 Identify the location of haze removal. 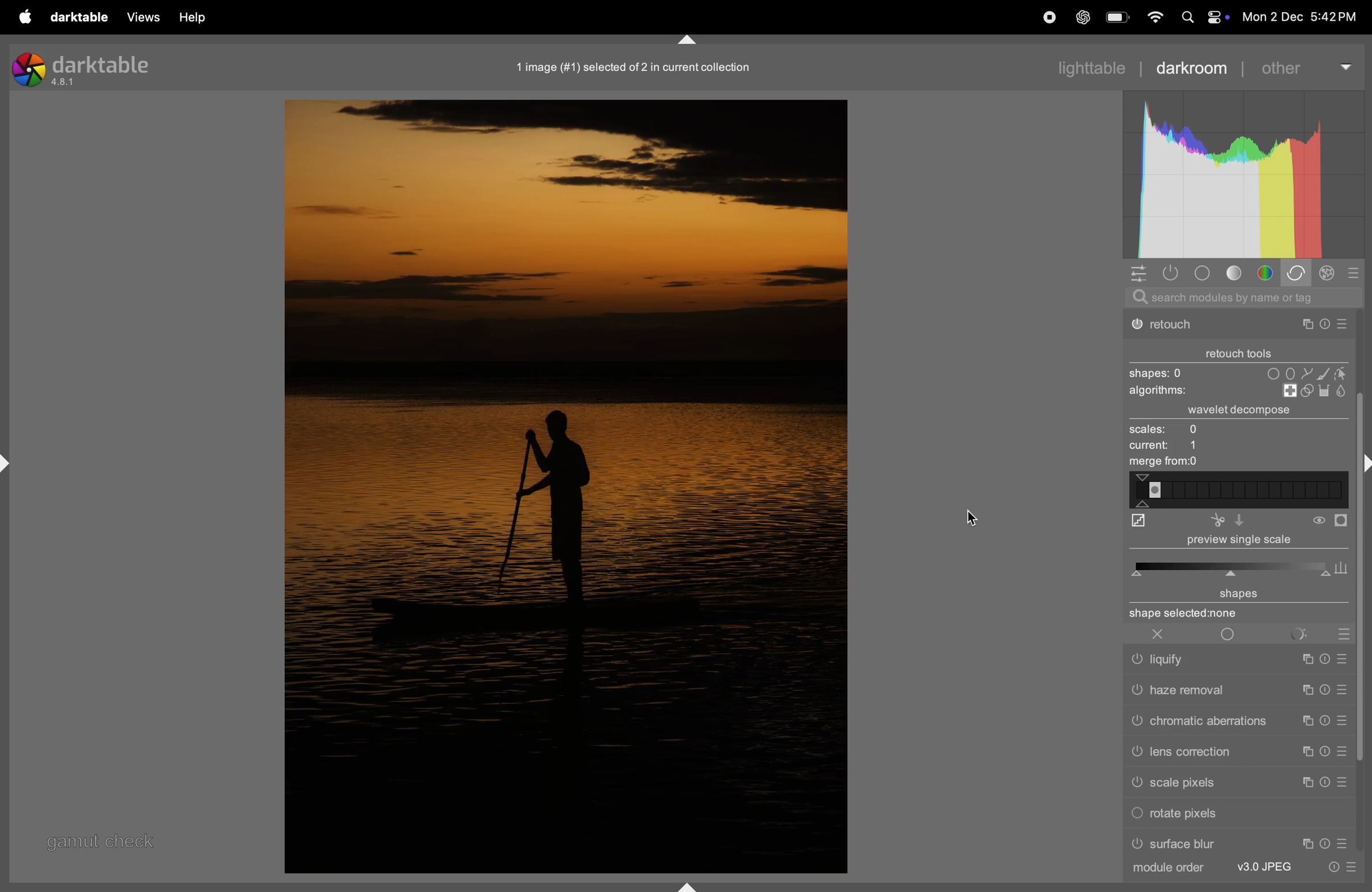
(1241, 689).